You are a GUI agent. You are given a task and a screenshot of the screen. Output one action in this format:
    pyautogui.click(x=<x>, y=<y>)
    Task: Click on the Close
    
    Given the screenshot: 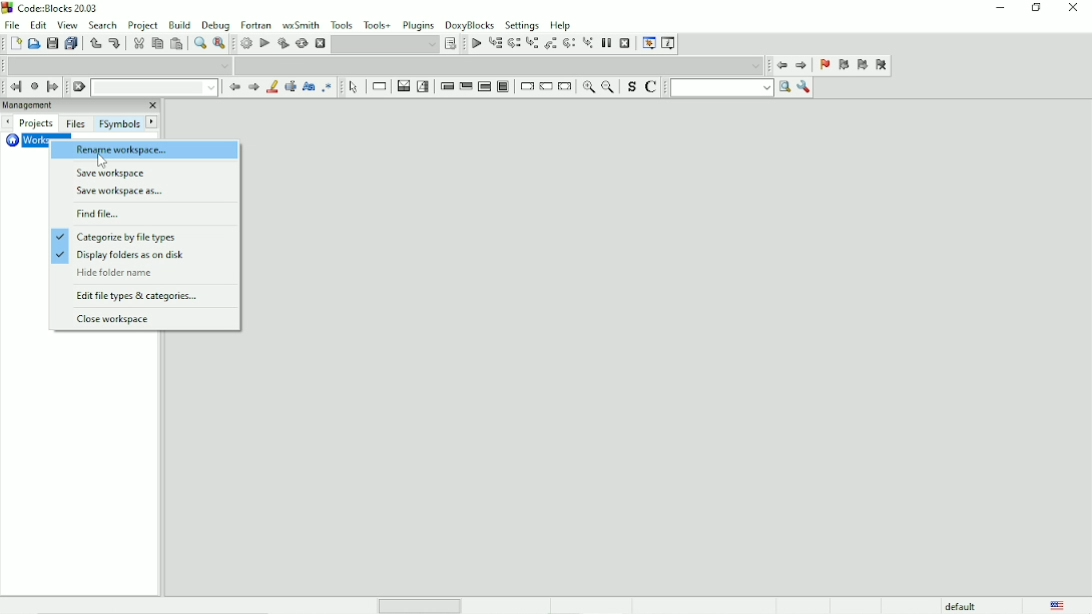 What is the action you would take?
    pyautogui.click(x=1075, y=8)
    